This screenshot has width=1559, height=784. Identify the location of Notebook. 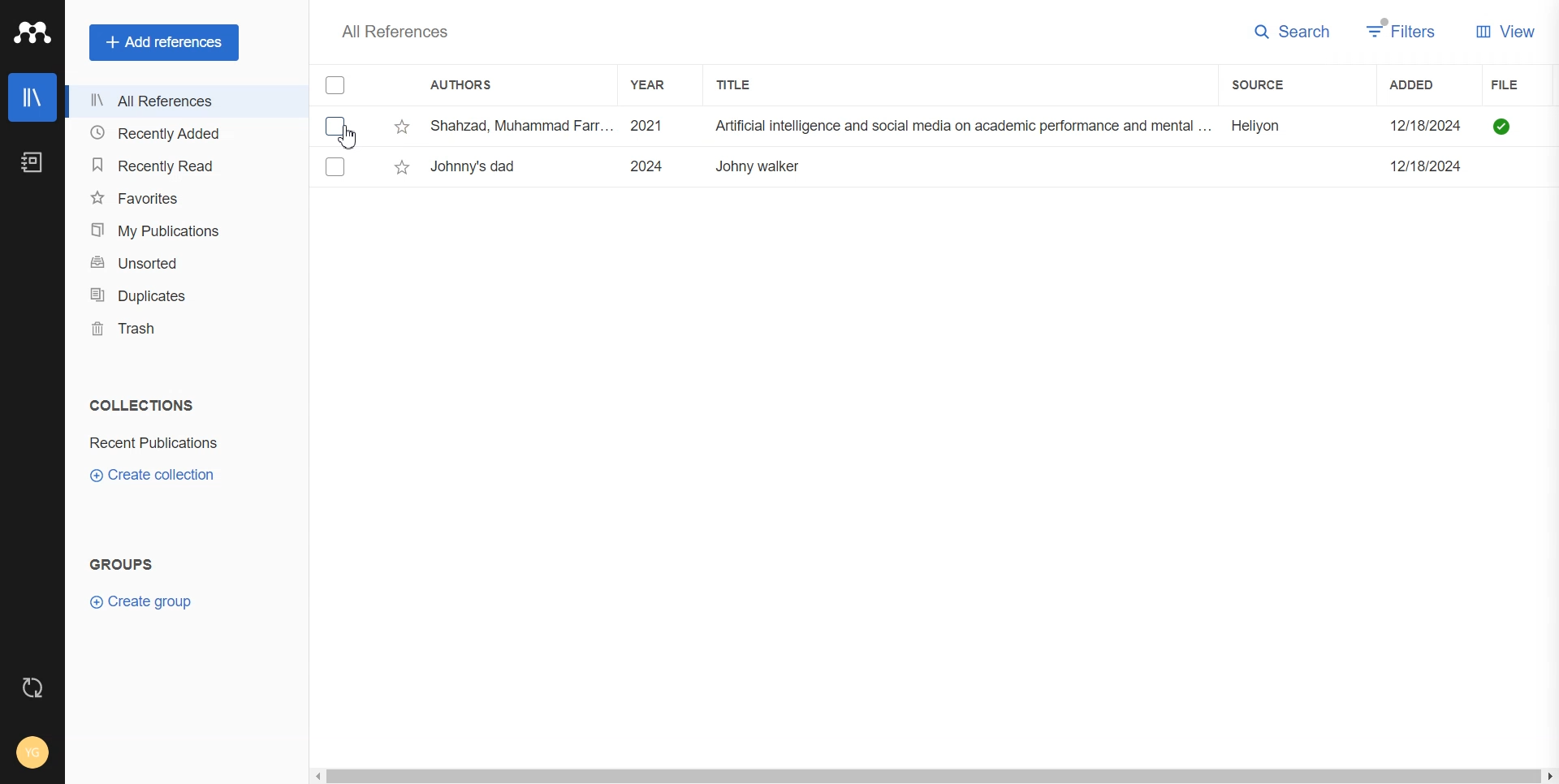
(32, 162).